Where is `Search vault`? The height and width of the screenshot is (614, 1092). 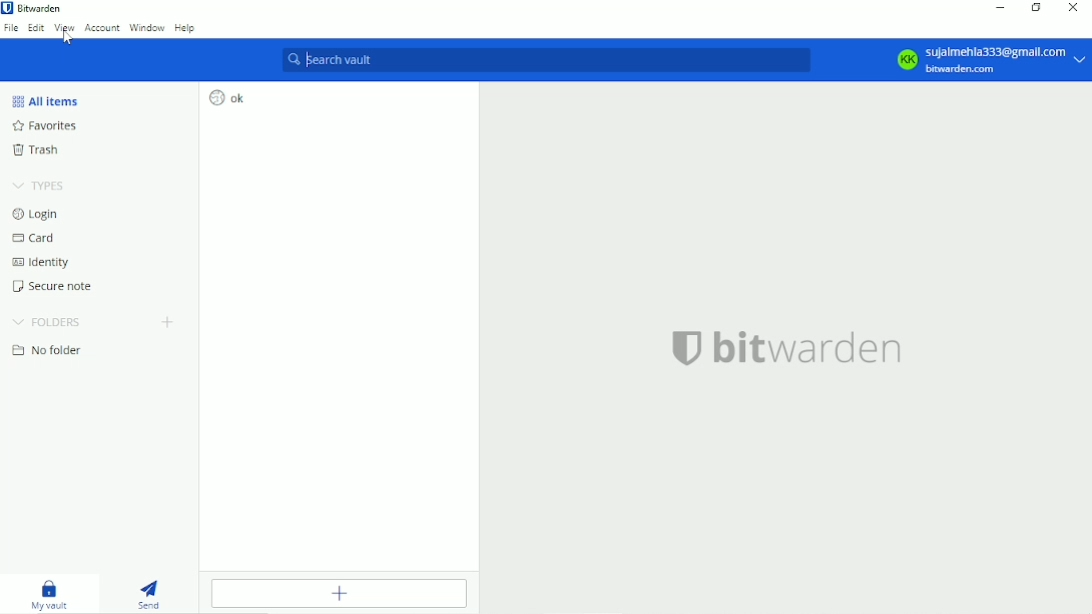
Search vault is located at coordinates (547, 60).